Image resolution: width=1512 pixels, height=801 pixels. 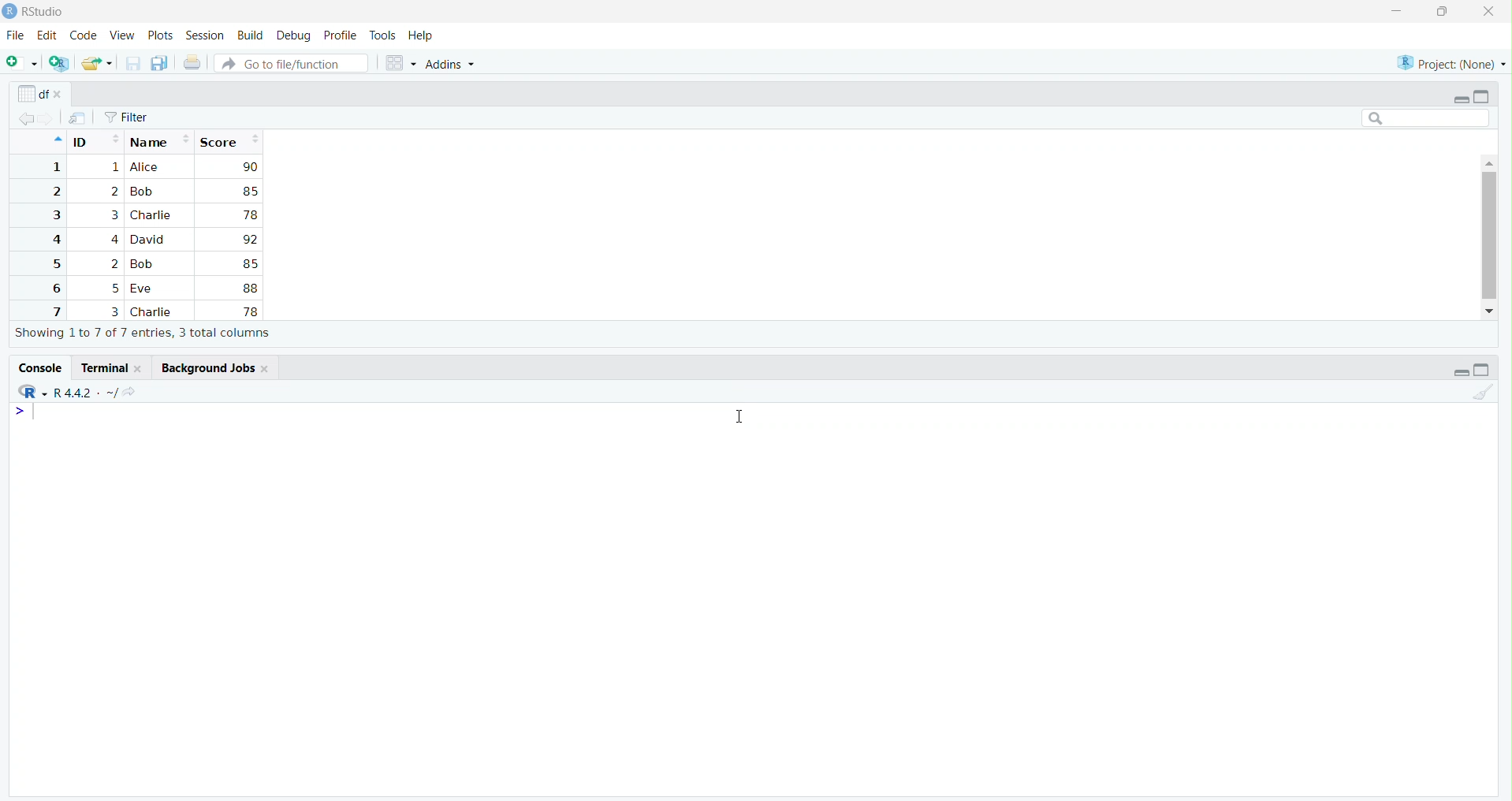 I want to click on File, so click(x=15, y=36).